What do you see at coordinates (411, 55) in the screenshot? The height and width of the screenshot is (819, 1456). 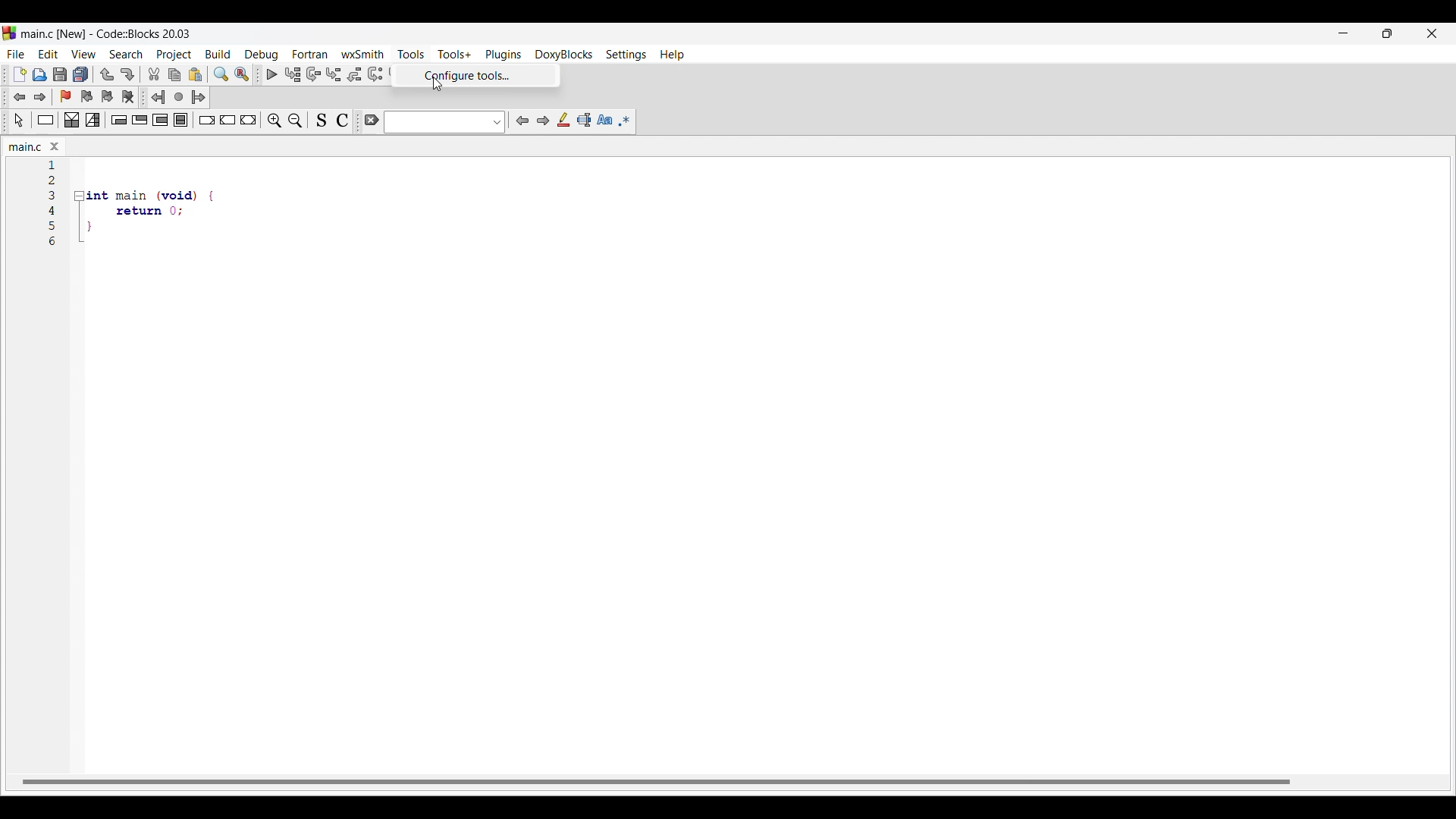 I see `Tools menu` at bounding box center [411, 55].